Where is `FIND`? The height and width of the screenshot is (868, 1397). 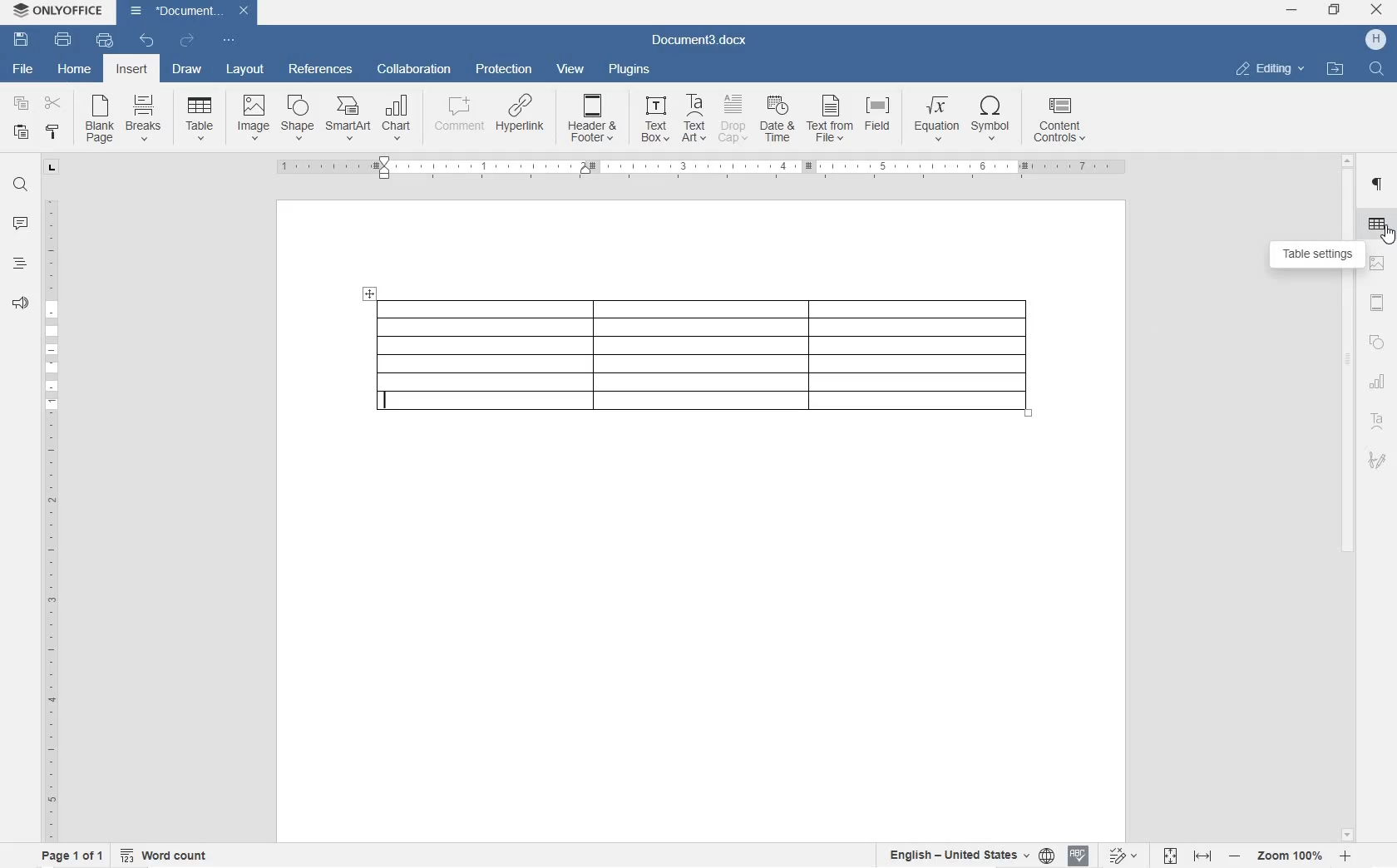 FIND is located at coordinates (20, 187).